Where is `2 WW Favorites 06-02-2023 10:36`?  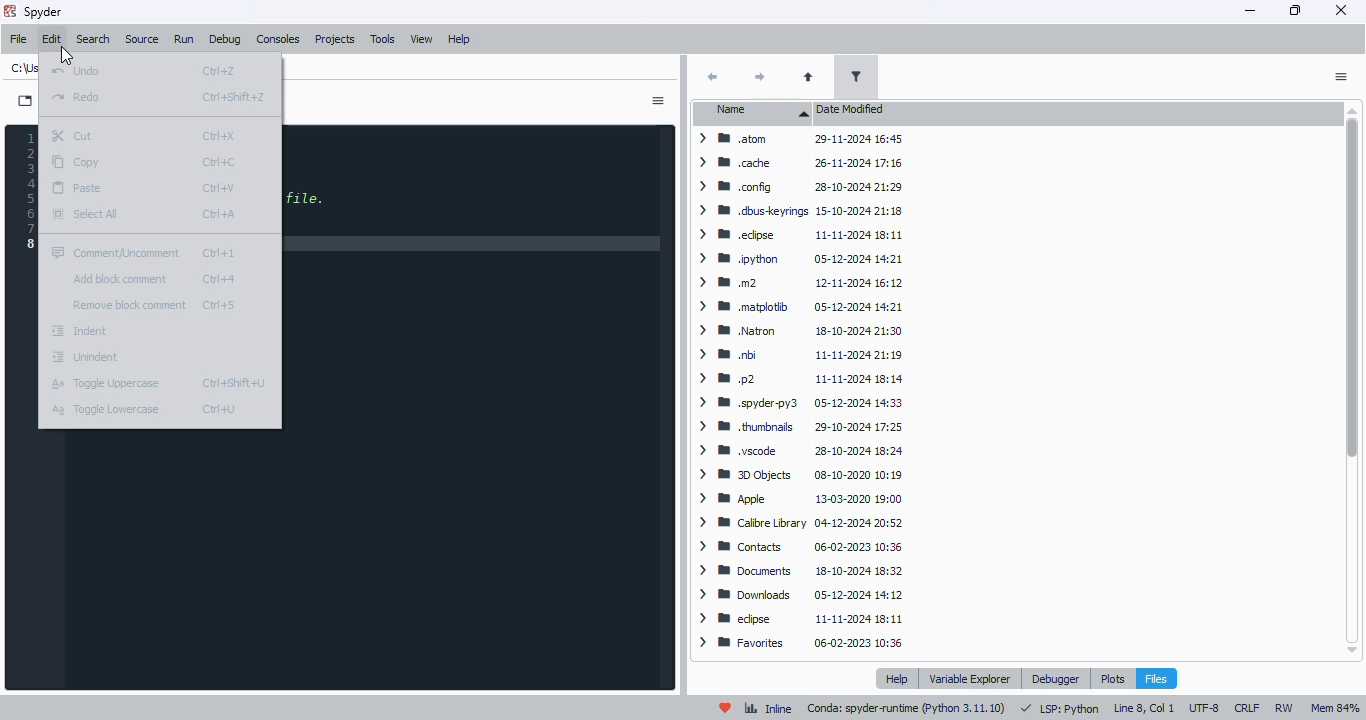 2 WW Favorites 06-02-2023 10:36 is located at coordinates (804, 646).